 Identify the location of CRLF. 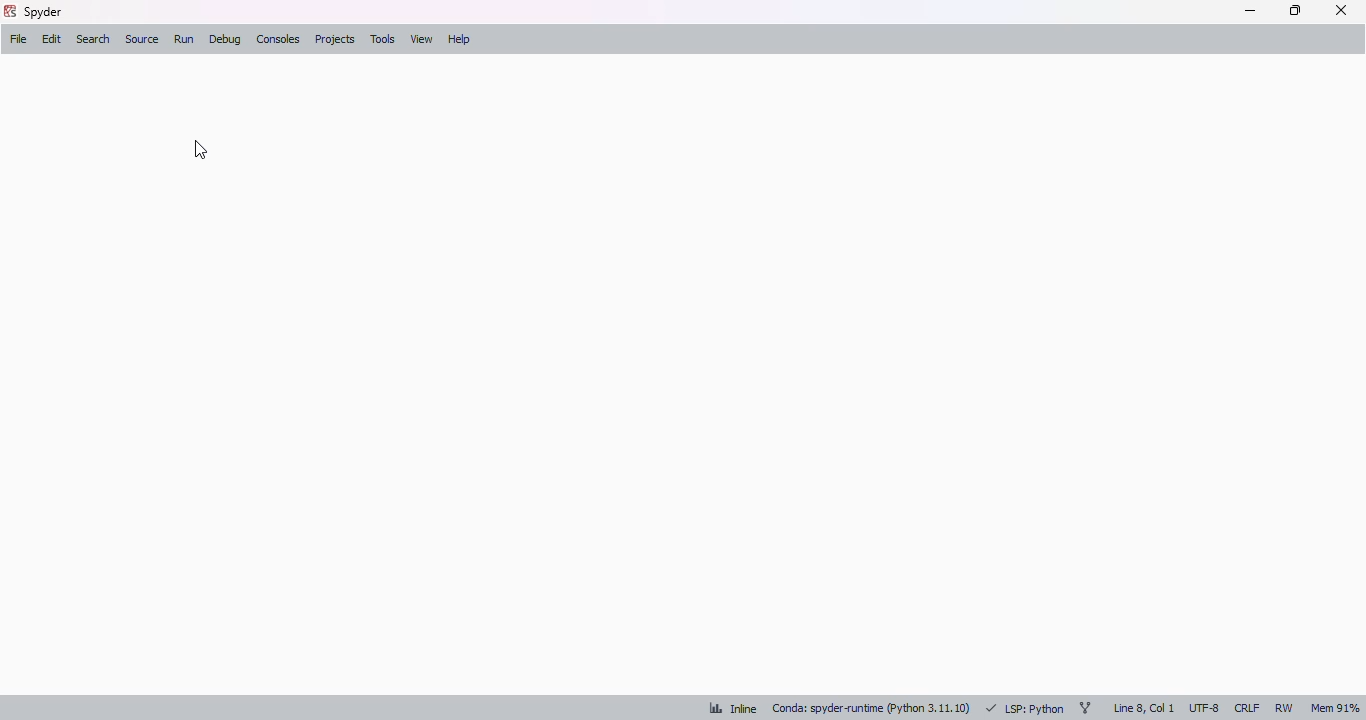
(1247, 707).